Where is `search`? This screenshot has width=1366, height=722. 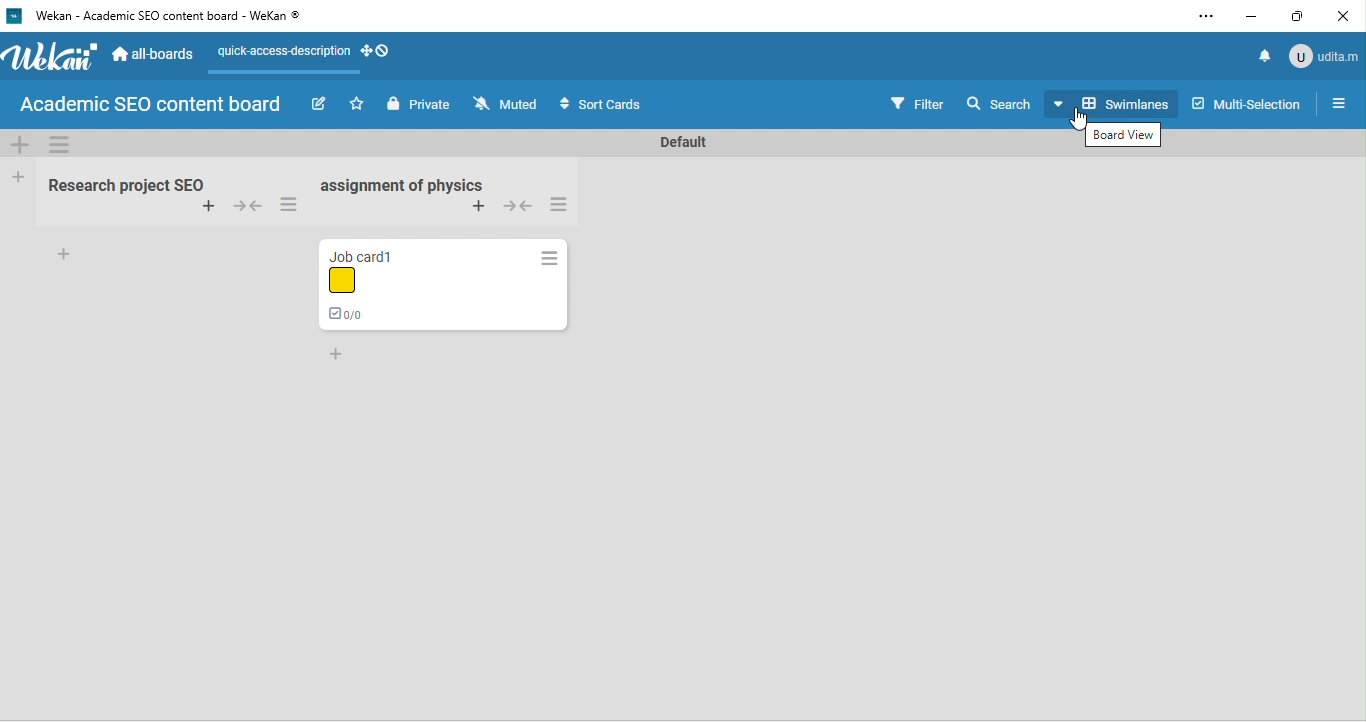
search is located at coordinates (1001, 103).